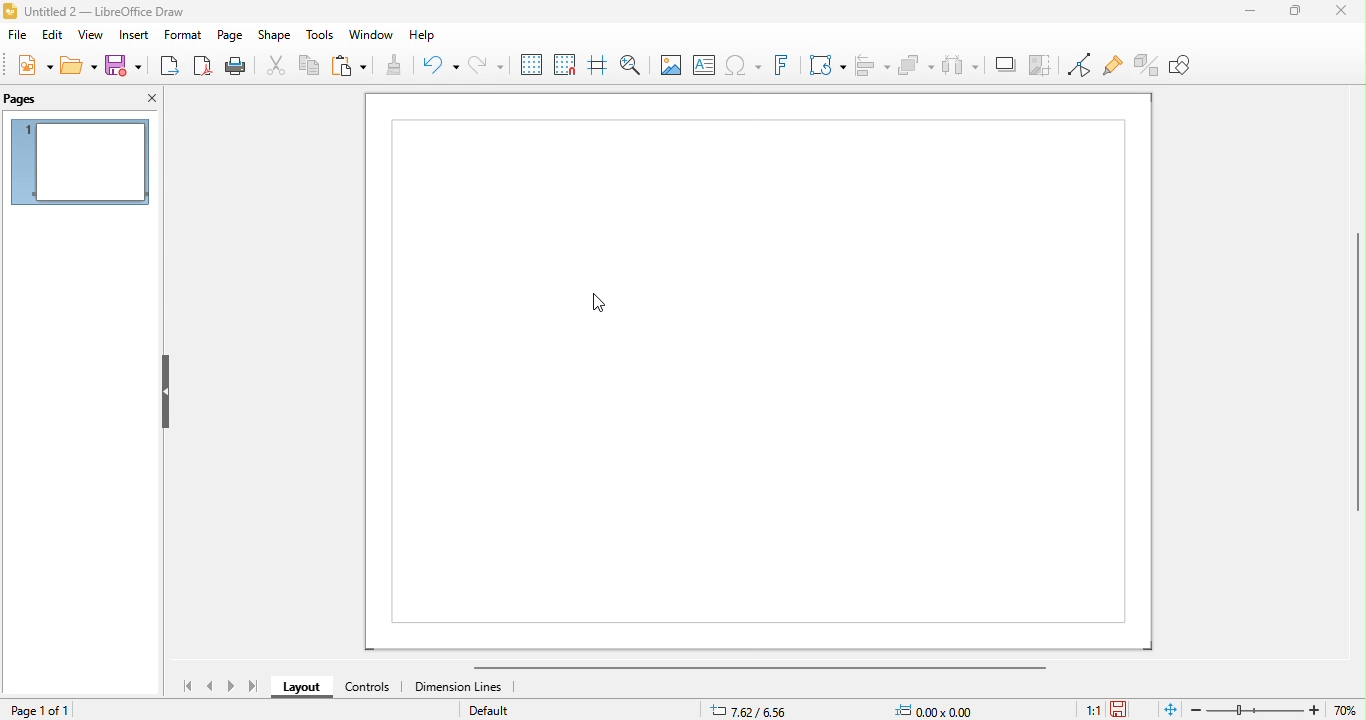 This screenshot has height=720, width=1366. Describe the element at coordinates (1172, 709) in the screenshot. I see `fit page to current window` at that location.